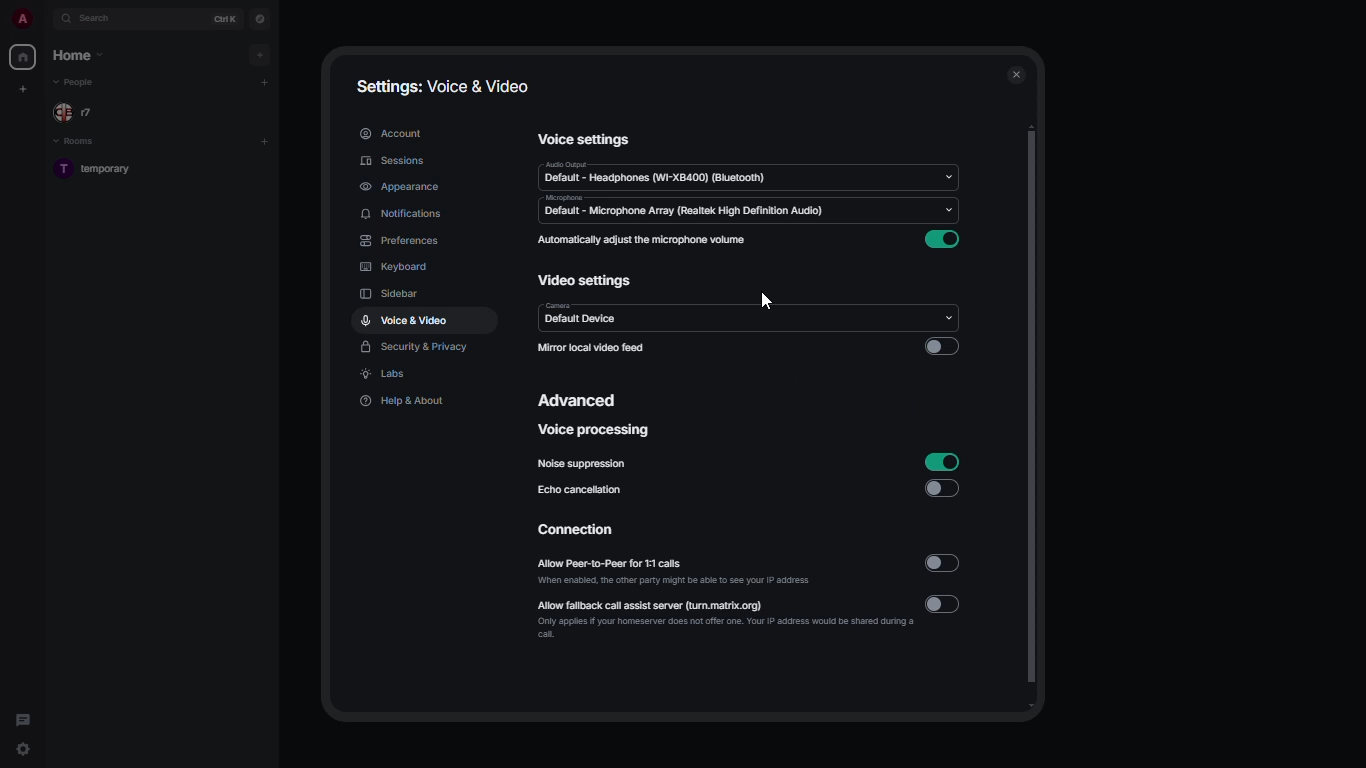 The width and height of the screenshot is (1366, 768). I want to click on add, so click(264, 141).